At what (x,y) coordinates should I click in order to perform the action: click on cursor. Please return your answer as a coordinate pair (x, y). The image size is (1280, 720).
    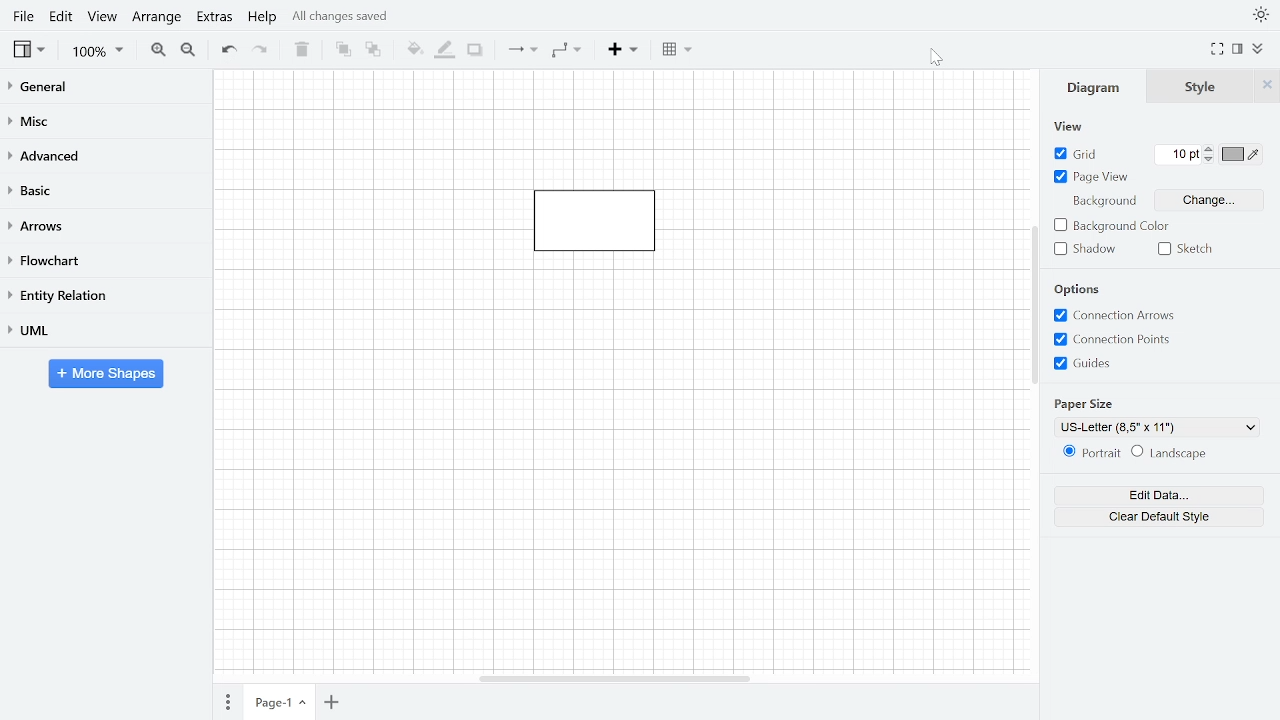
    Looking at the image, I should click on (939, 58).